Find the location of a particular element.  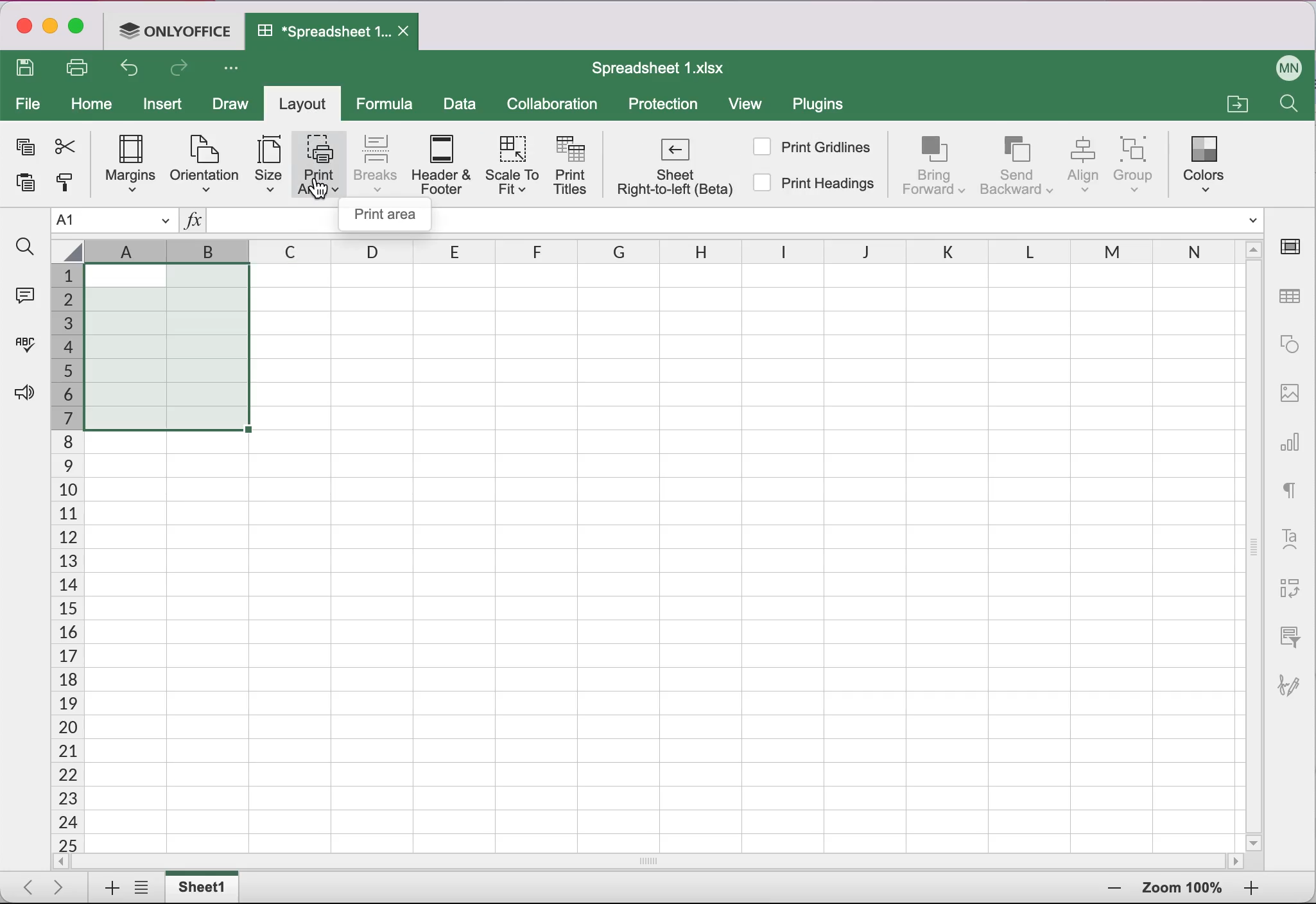

Name manager A1 is located at coordinates (114, 221).